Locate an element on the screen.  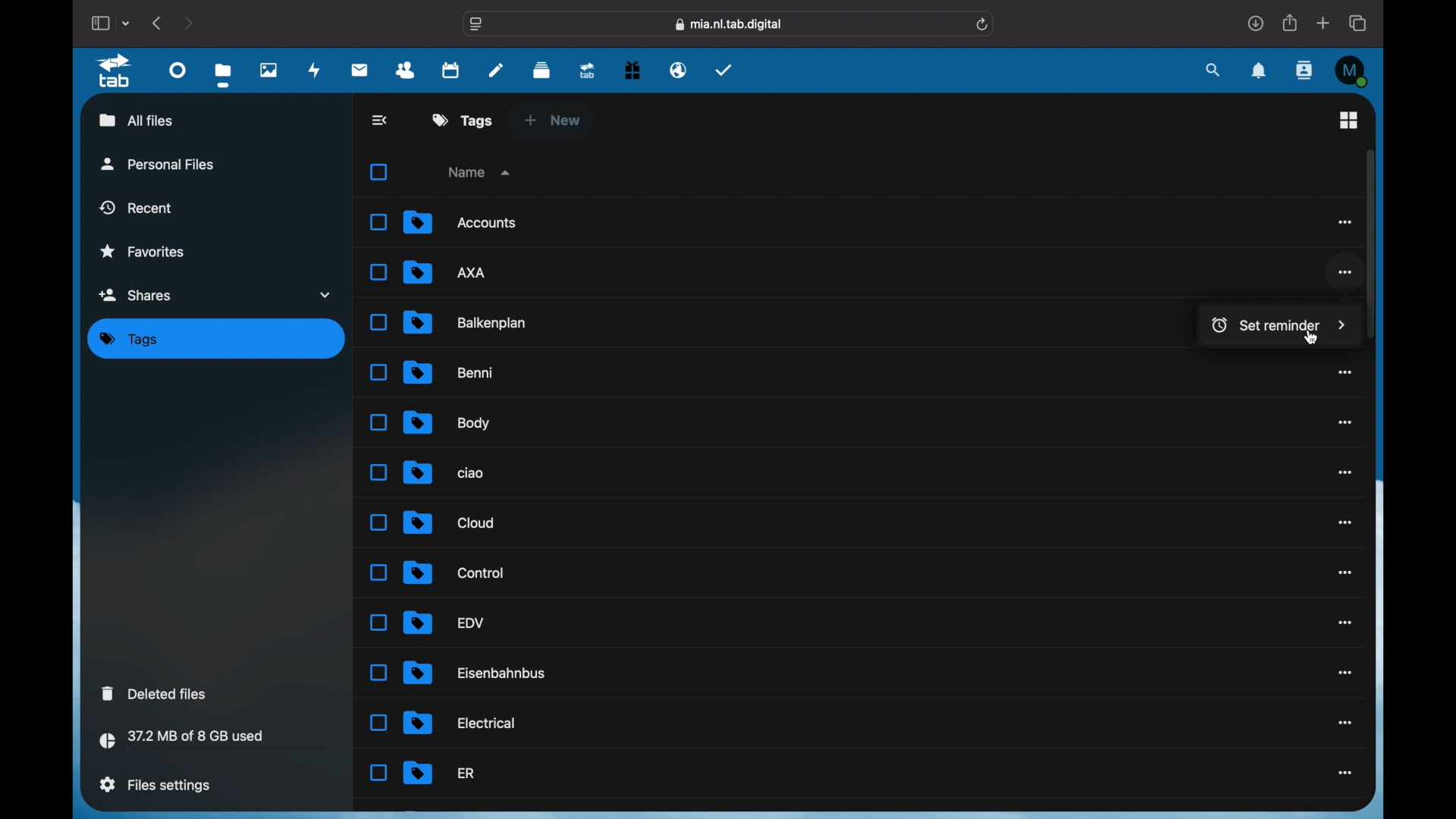
file is located at coordinates (460, 221).